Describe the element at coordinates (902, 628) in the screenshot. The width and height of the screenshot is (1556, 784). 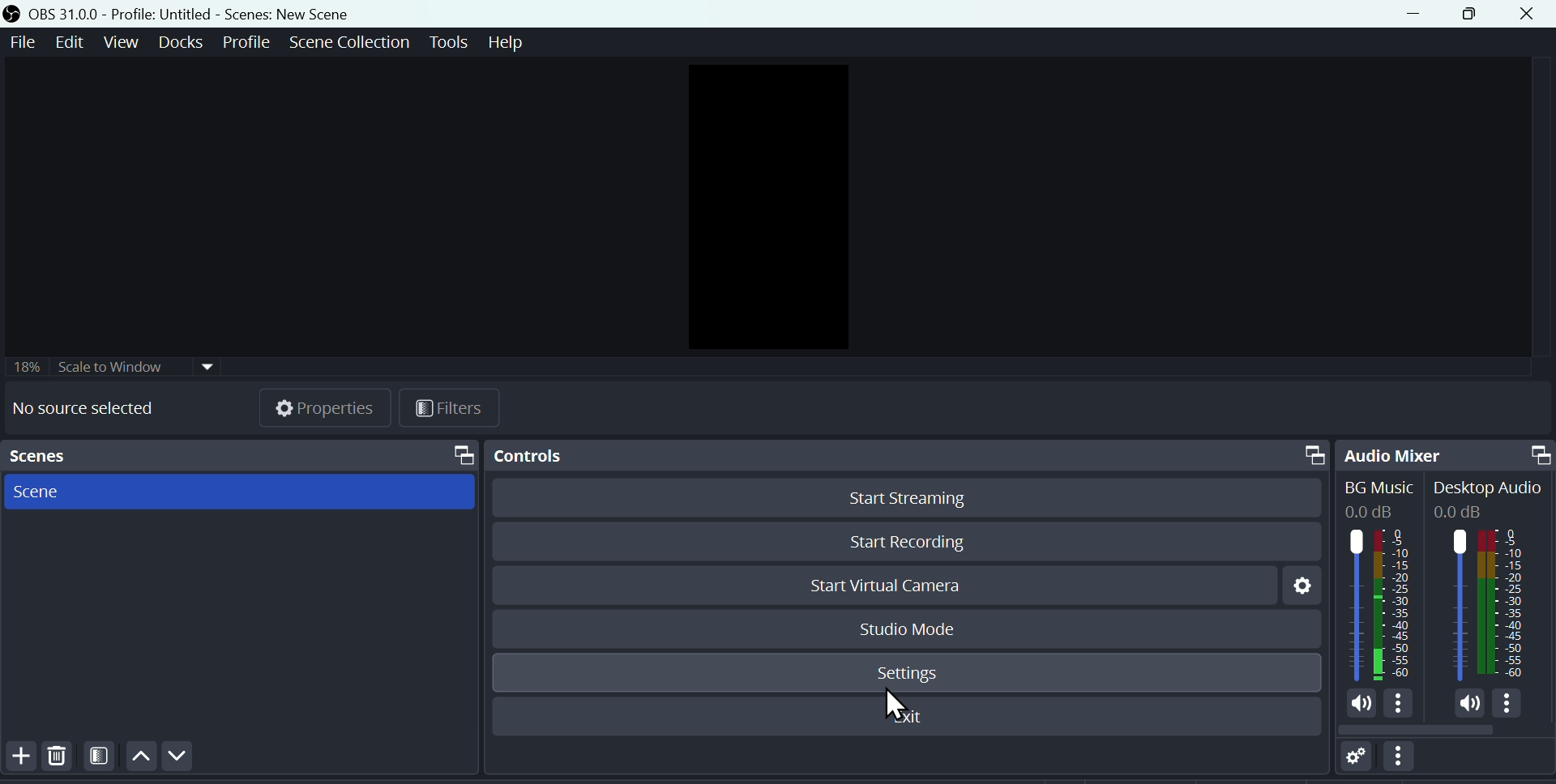
I see `Studio mode` at that location.